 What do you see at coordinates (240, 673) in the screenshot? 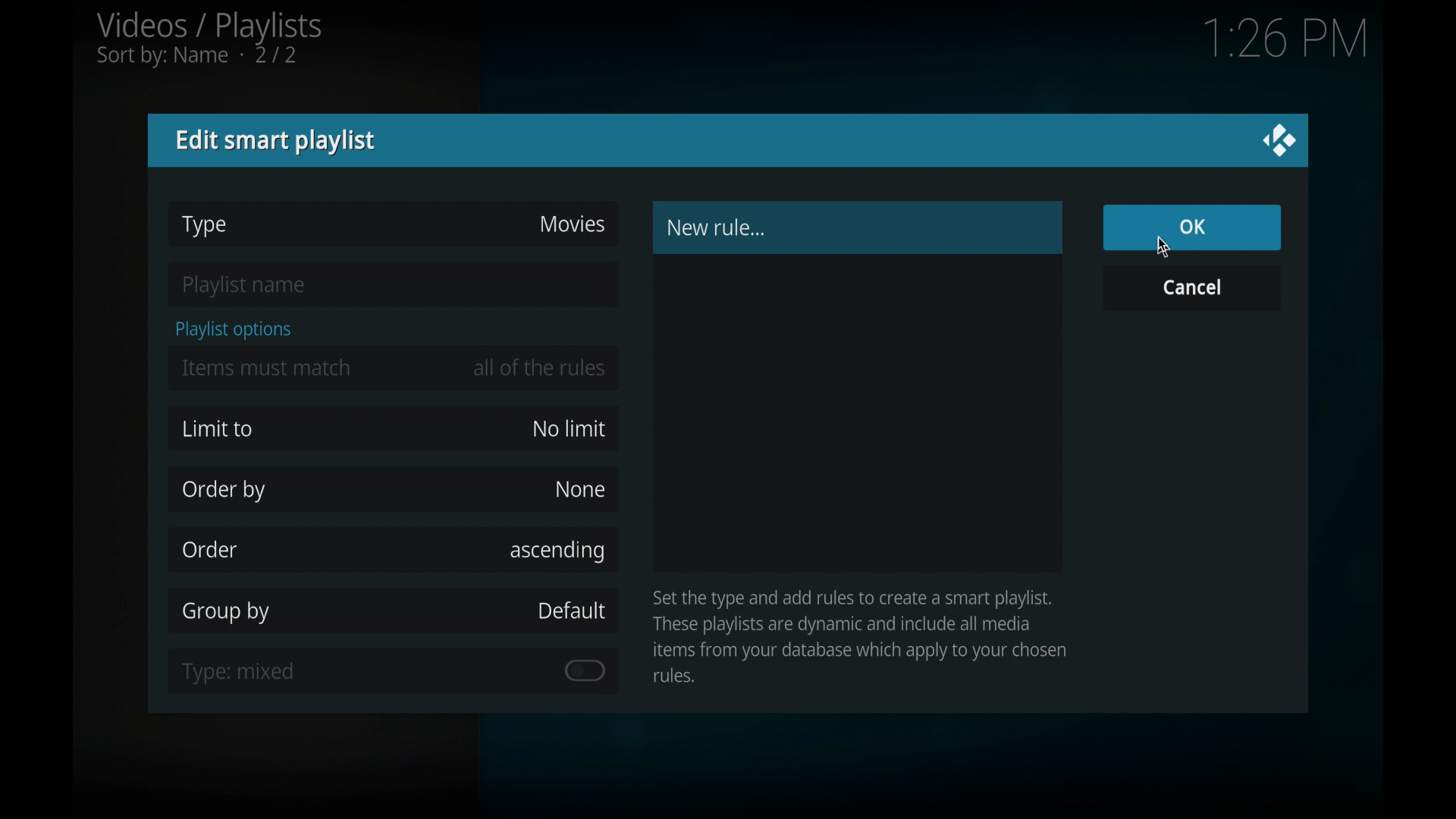
I see `type: mixed` at bounding box center [240, 673].